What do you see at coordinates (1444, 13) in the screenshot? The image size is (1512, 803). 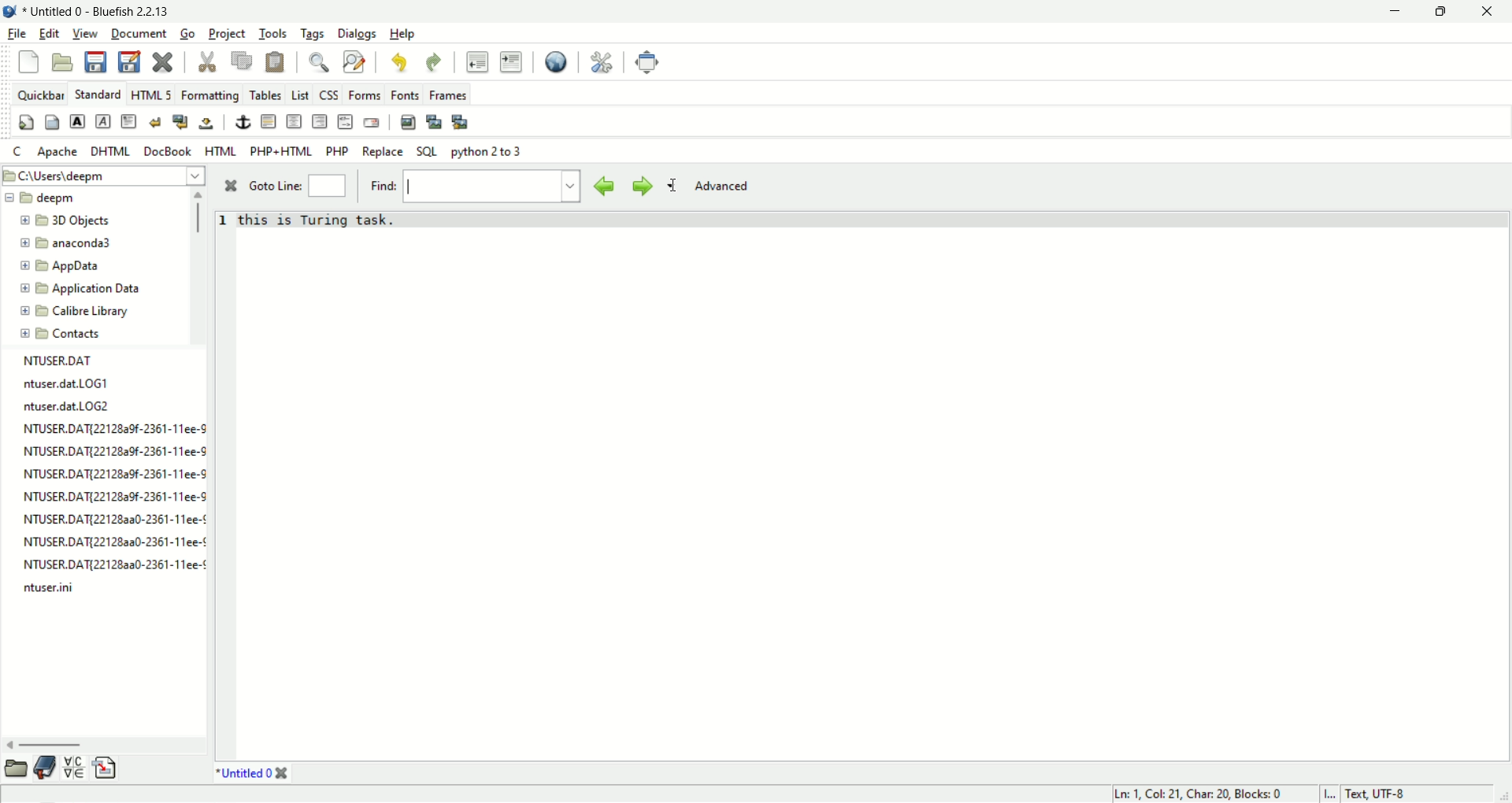 I see `maximize` at bounding box center [1444, 13].